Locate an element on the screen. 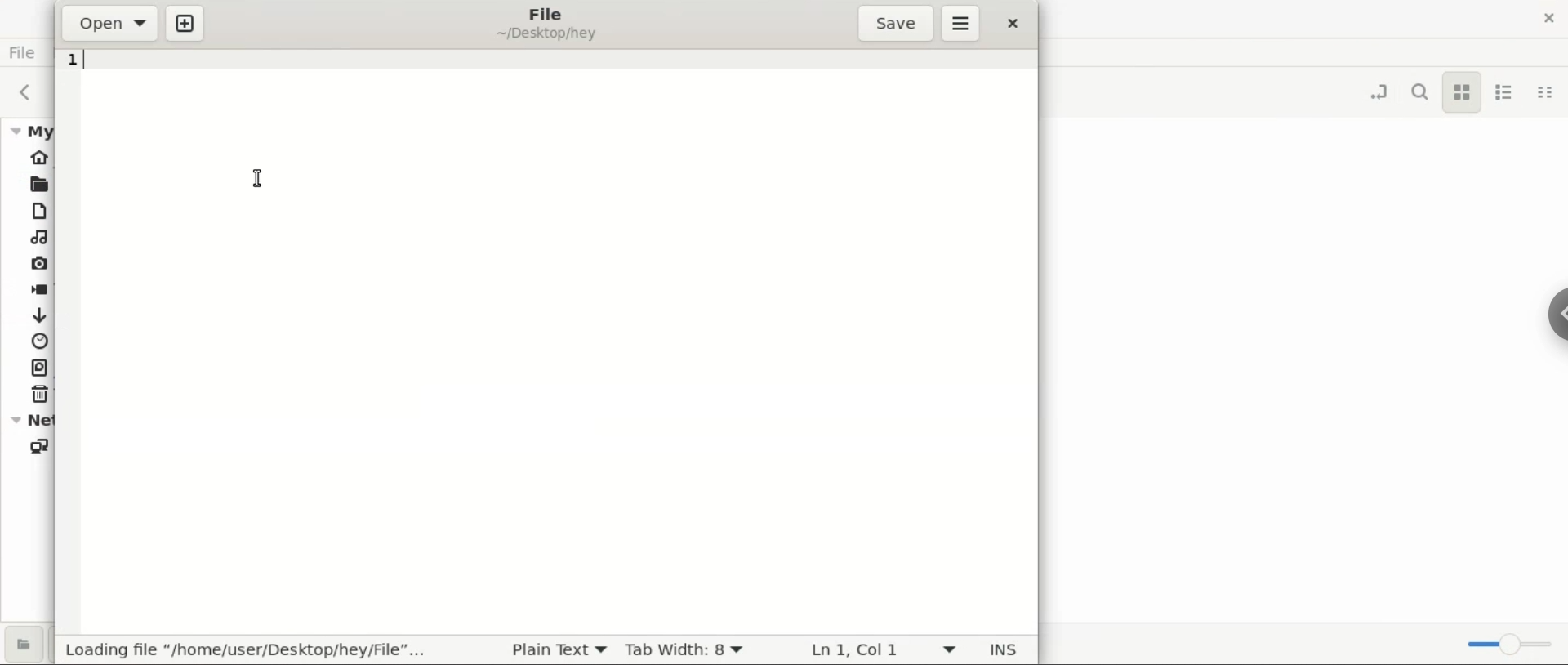 The width and height of the screenshot is (1568, 665). toggle location entry is located at coordinates (1373, 89).